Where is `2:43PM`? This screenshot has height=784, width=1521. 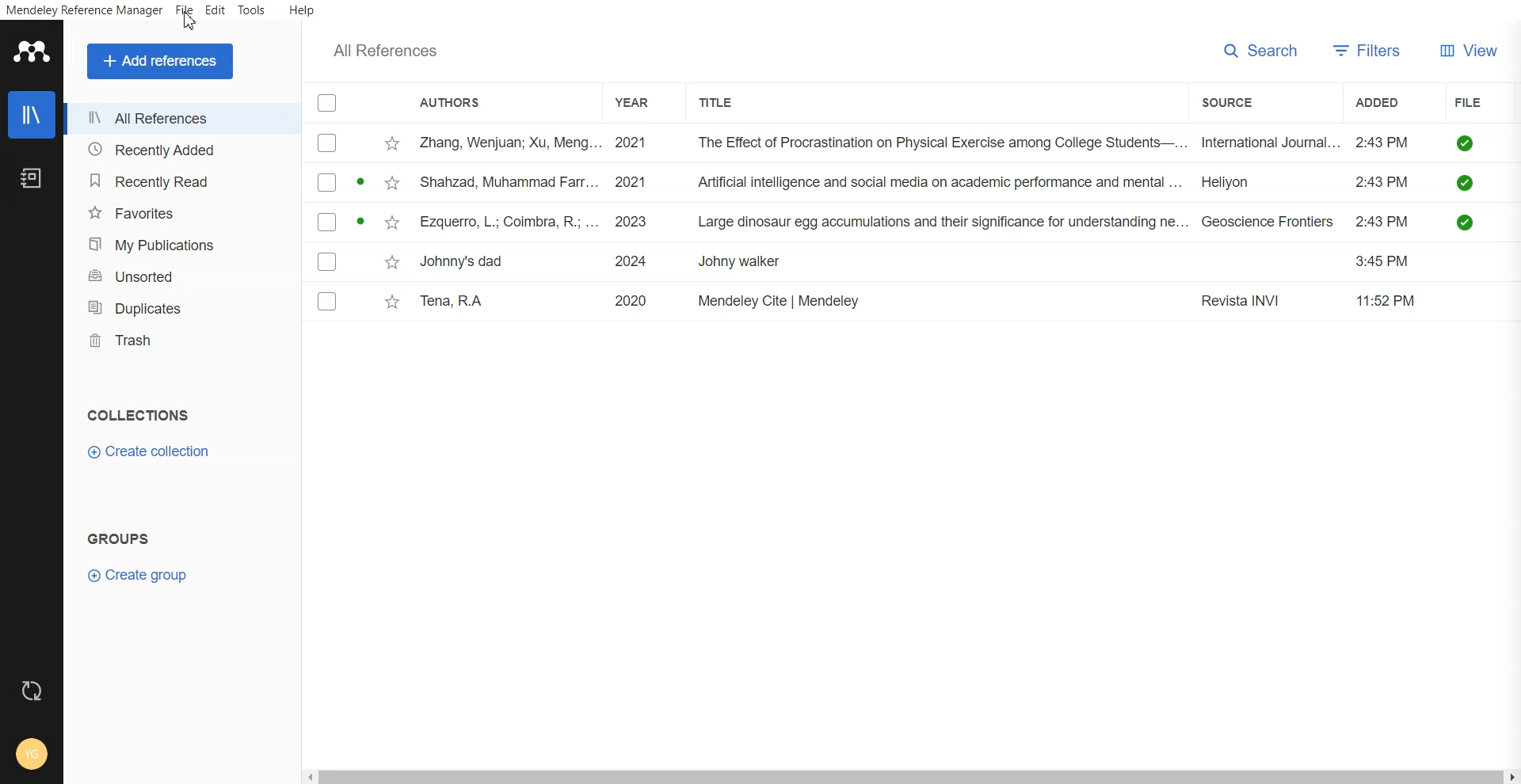 2:43PM is located at coordinates (1383, 143).